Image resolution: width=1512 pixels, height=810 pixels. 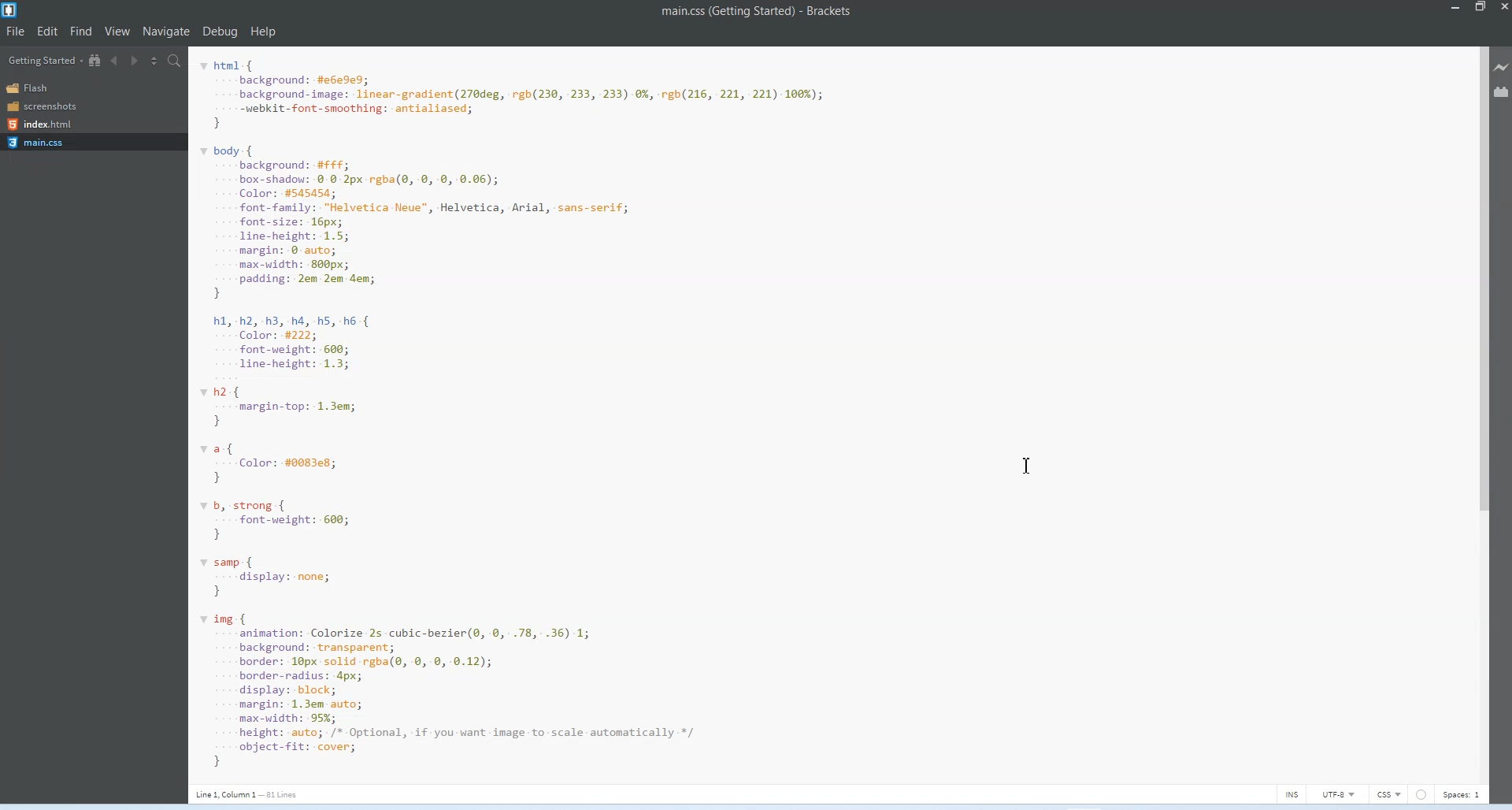 I want to click on Live Preview, so click(x=1502, y=66).